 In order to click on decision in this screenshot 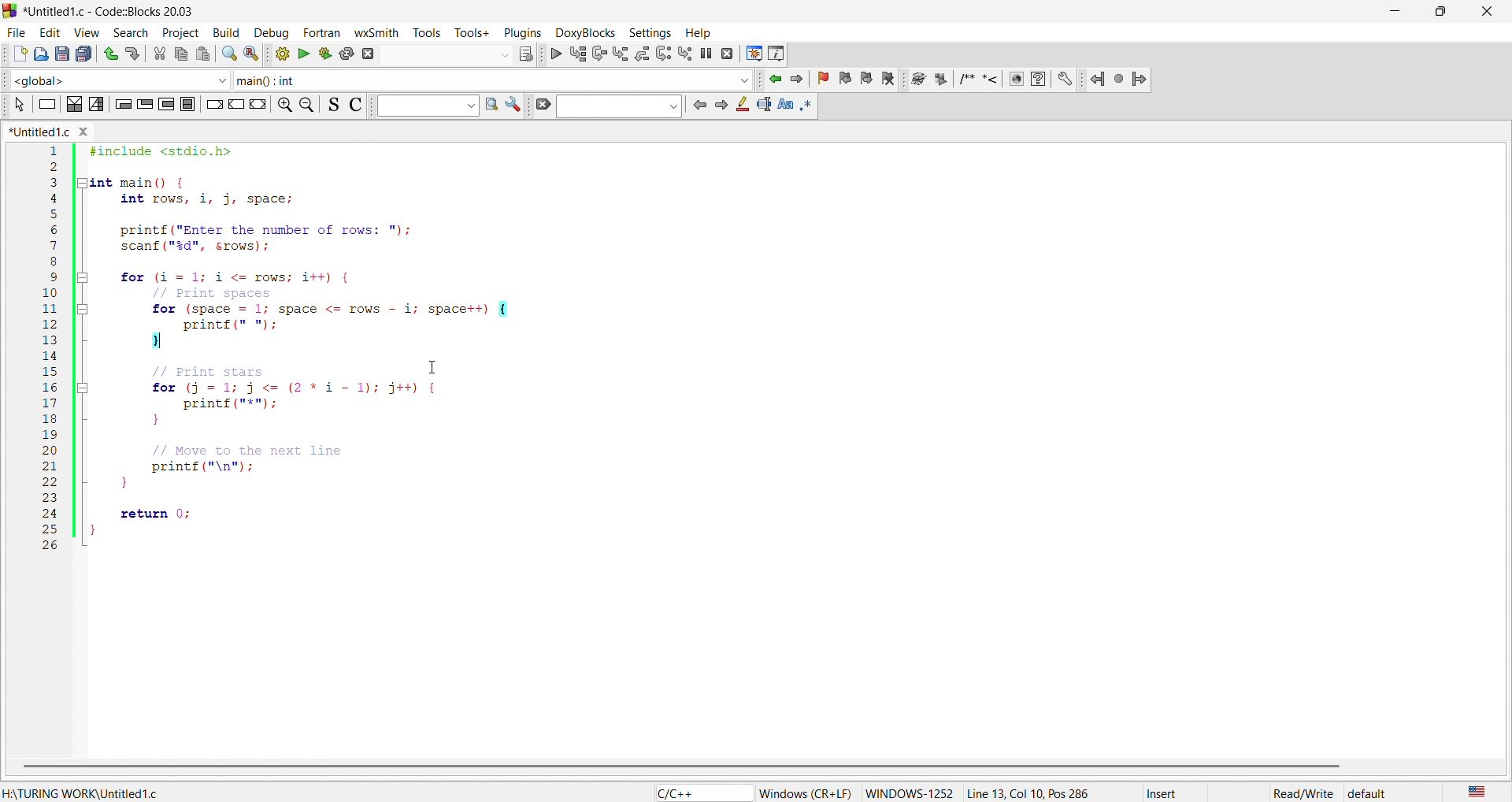, I will do `click(73, 104)`.